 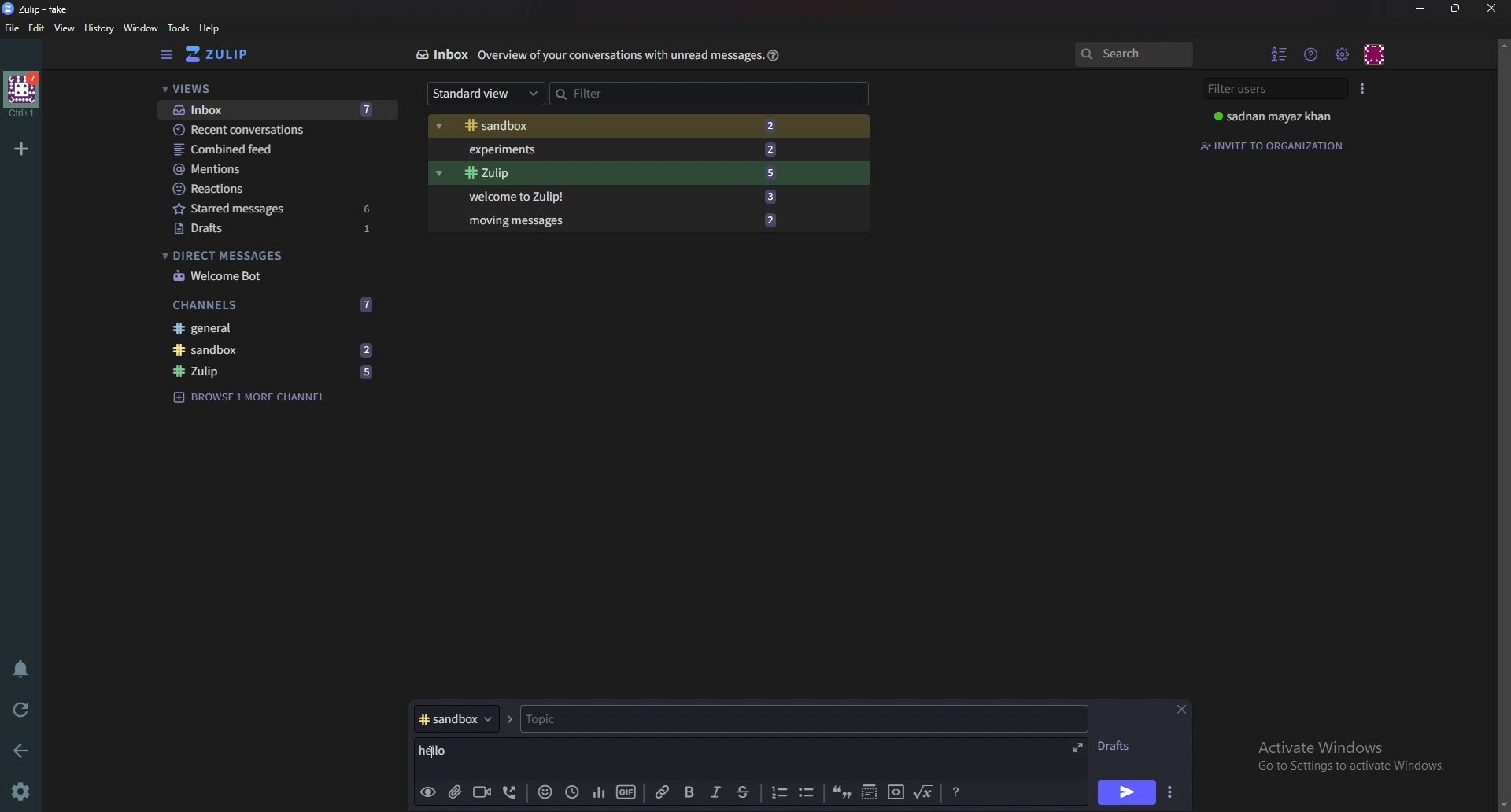 I want to click on Filter users, so click(x=1269, y=88).